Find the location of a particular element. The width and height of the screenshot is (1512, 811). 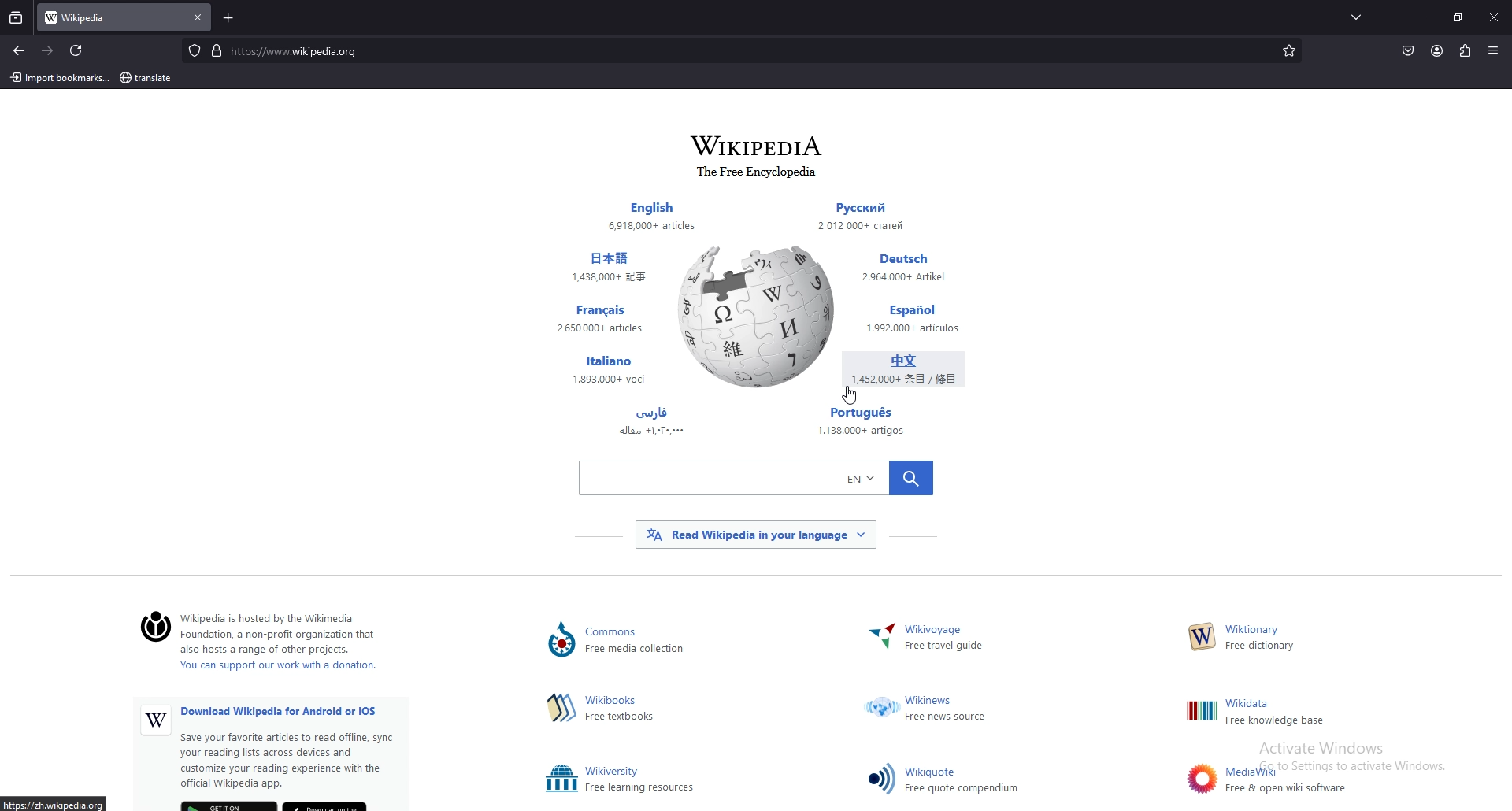

 is located at coordinates (600, 268).